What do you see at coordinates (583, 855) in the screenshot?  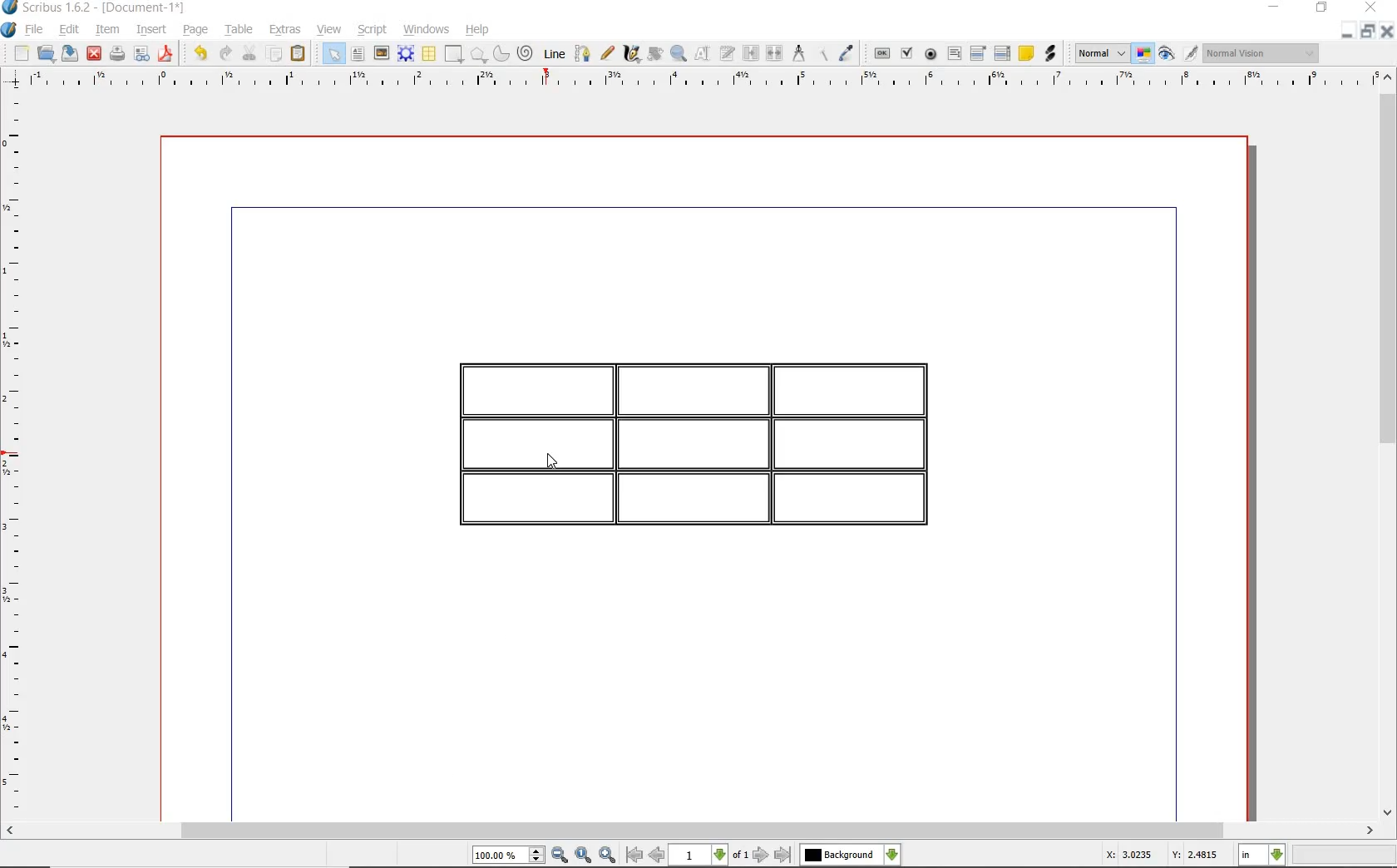 I see `zoom to` at bounding box center [583, 855].